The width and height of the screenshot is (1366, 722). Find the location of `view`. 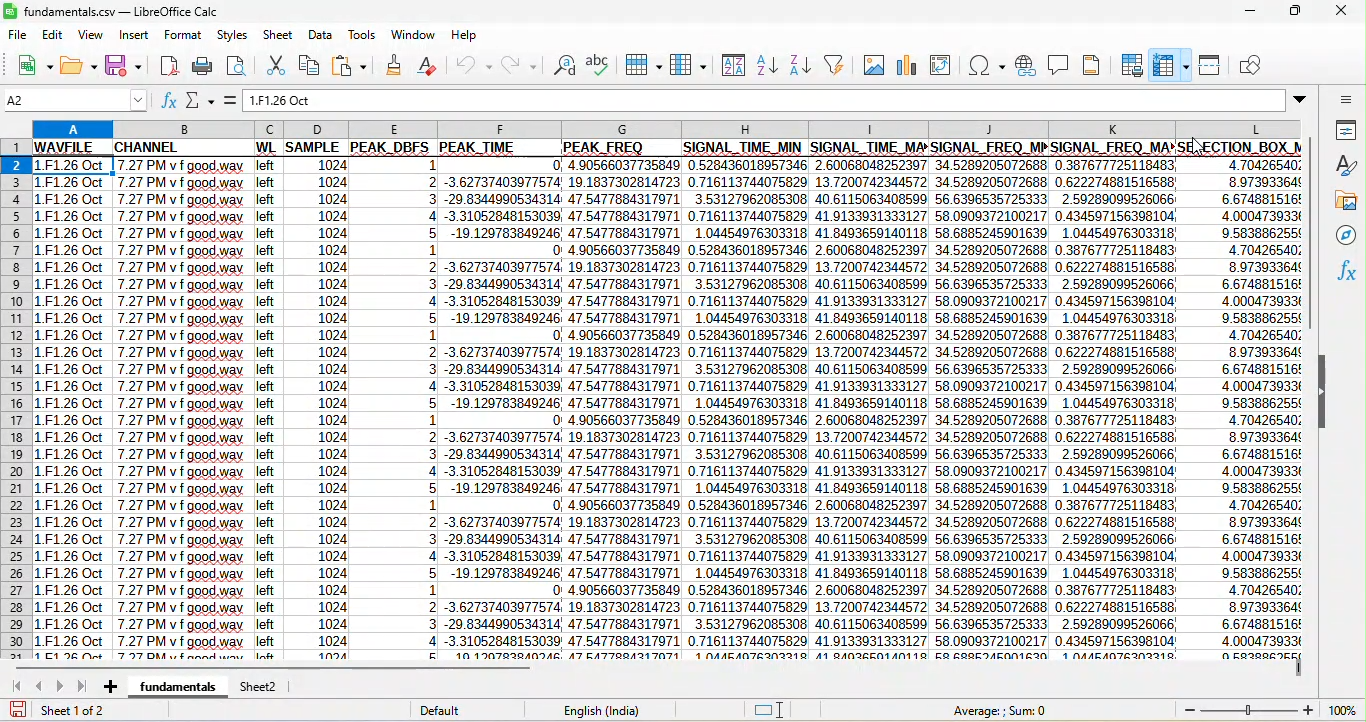

view is located at coordinates (94, 37).